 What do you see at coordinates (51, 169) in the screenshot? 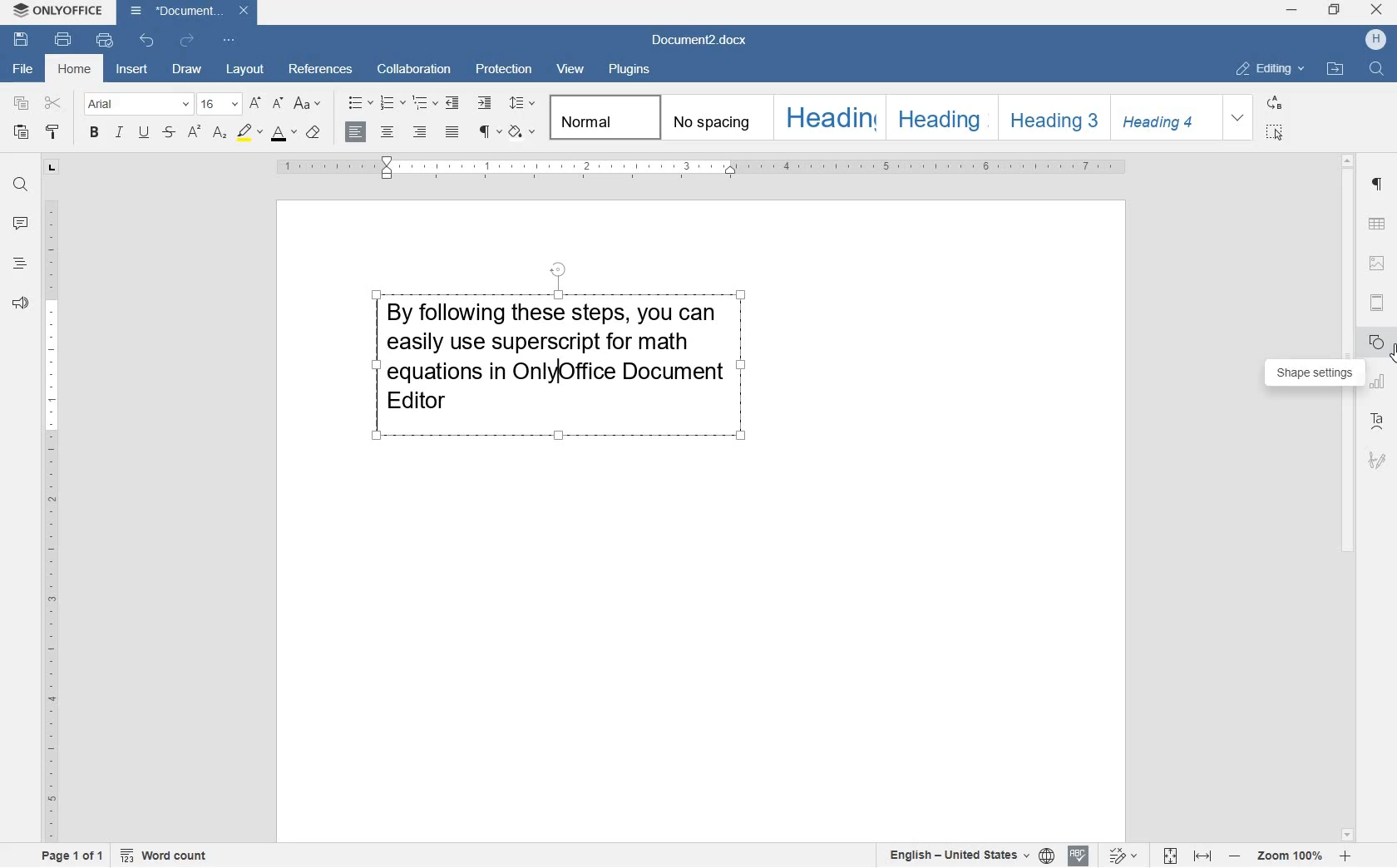
I see `tab` at bounding box center [51, 169].